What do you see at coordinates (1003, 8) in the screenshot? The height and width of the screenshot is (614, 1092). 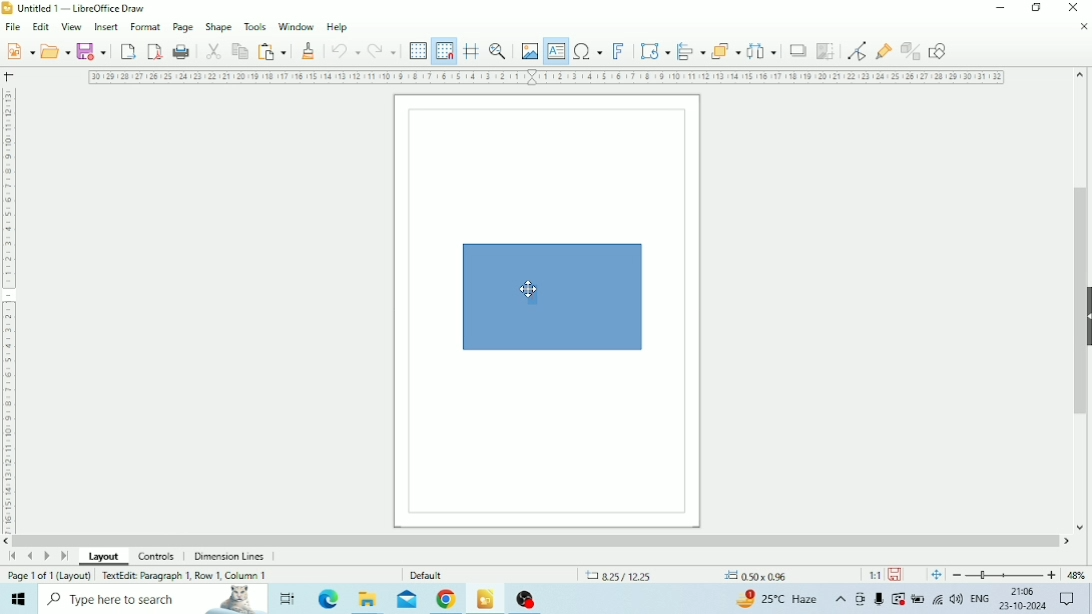 I see `Minimize` at bounding box center [1003, 8].